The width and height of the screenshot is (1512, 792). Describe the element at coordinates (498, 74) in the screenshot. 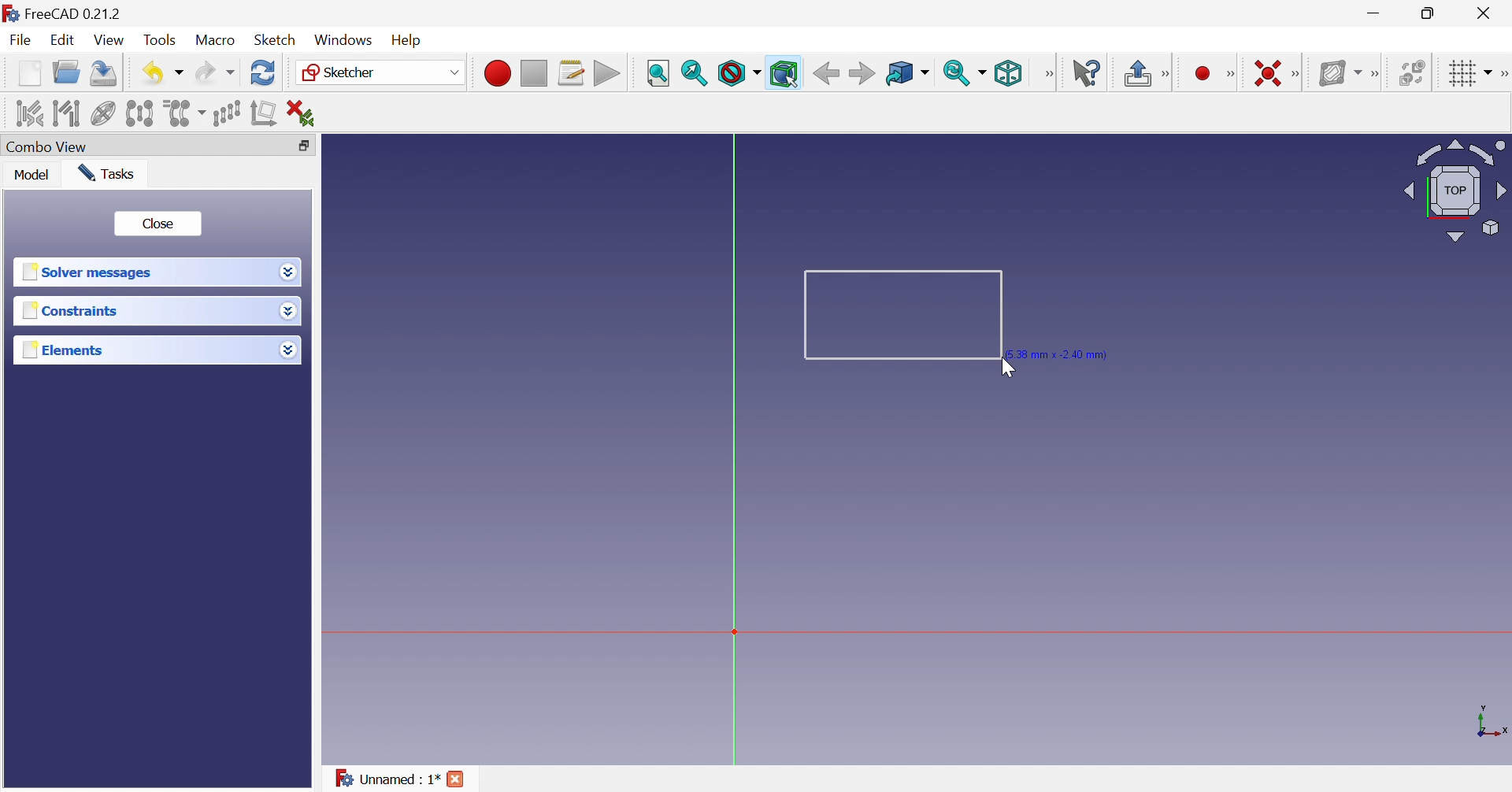

I see `Macro recording...` at that location.